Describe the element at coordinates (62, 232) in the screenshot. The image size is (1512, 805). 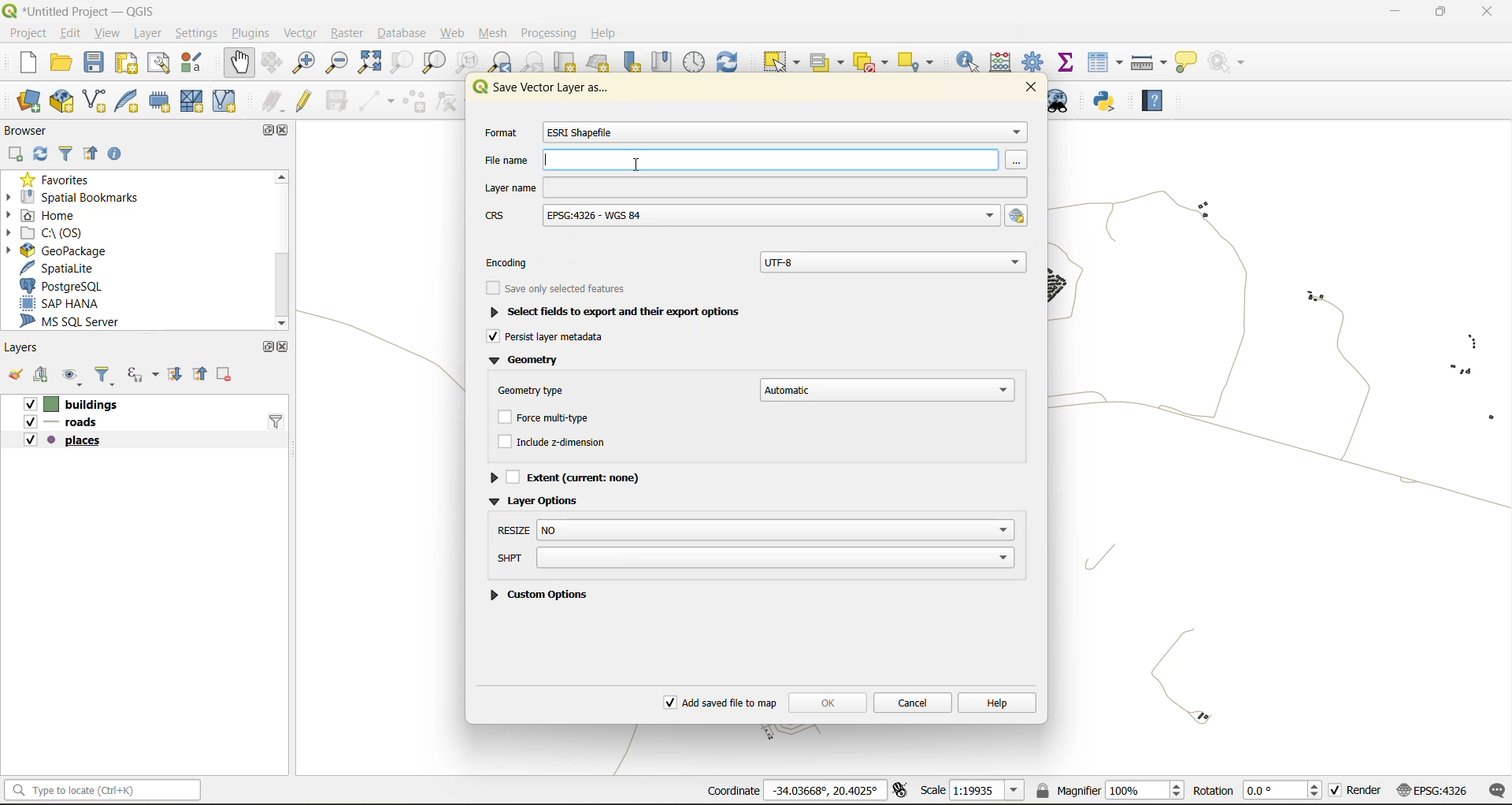
I see `c\:os` at that location.